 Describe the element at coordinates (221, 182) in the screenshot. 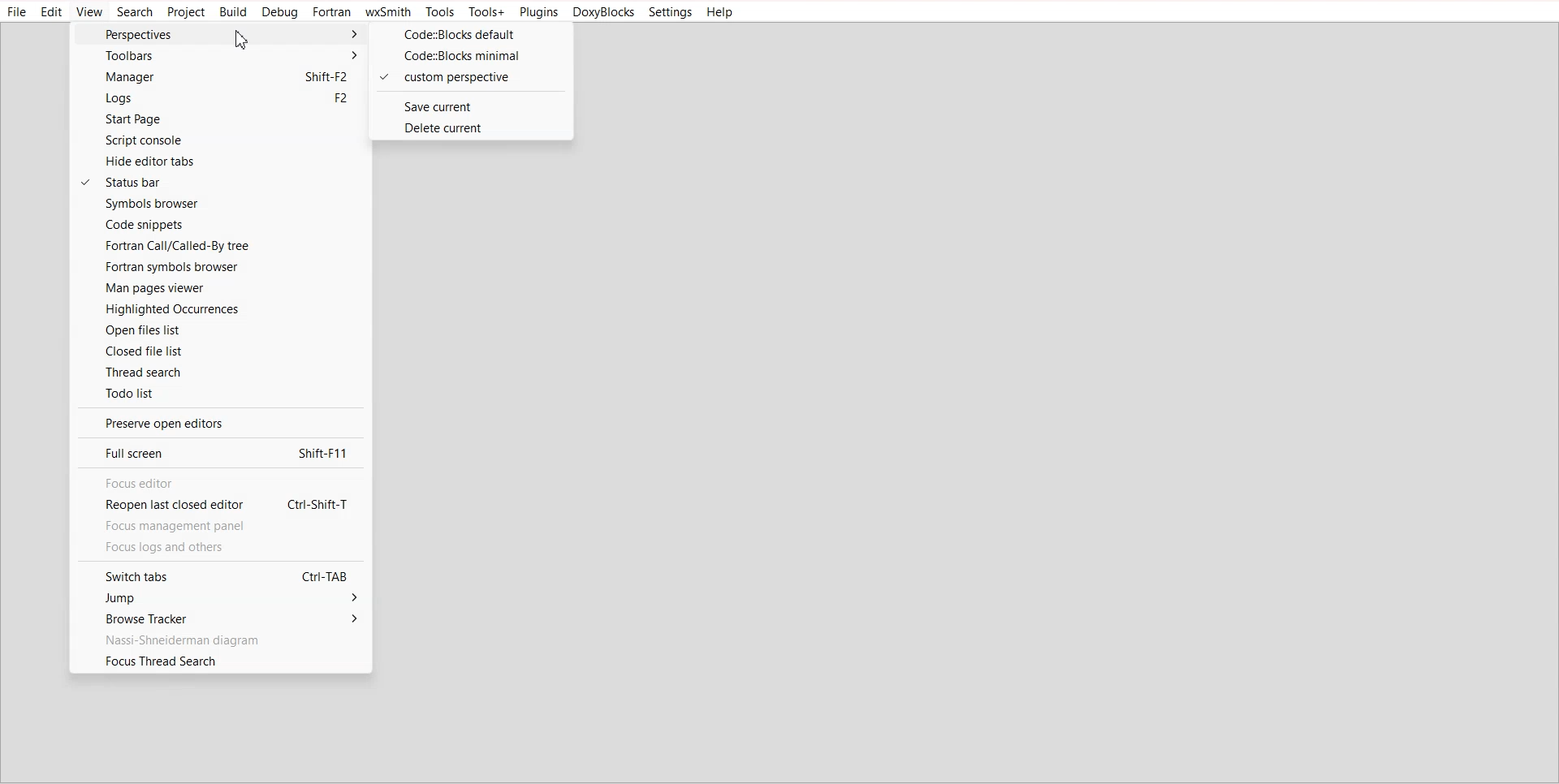

I see `Status bar` at that location.